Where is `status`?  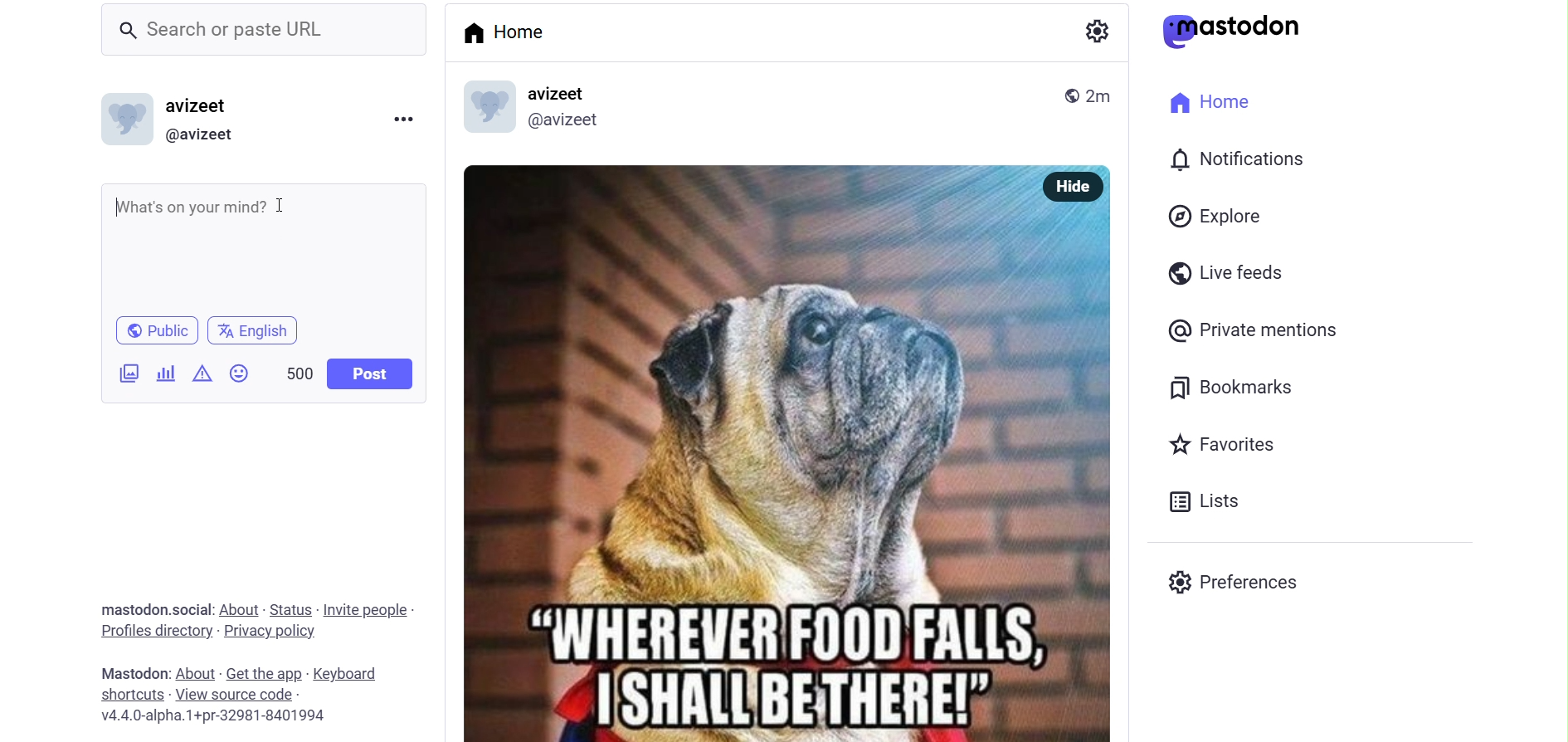
status is located at coordinates (289, 608).